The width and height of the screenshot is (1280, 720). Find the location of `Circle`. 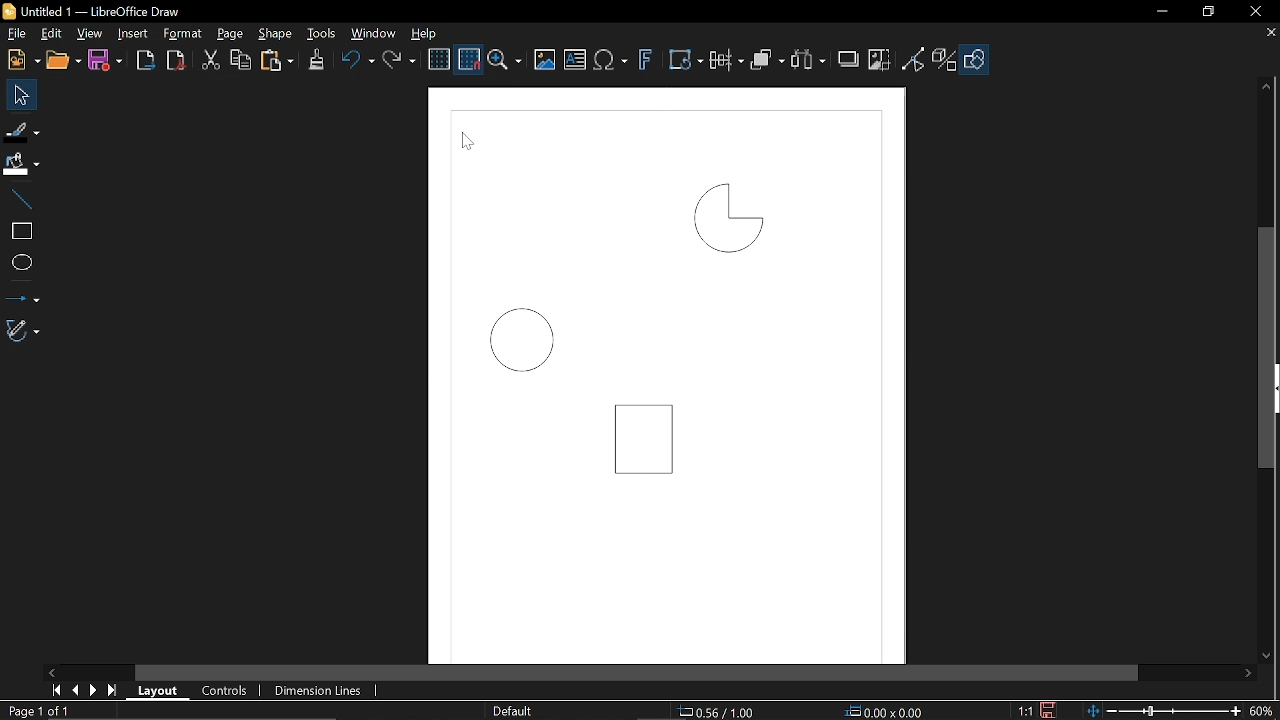

Circle is located at coordinates (524, 341).